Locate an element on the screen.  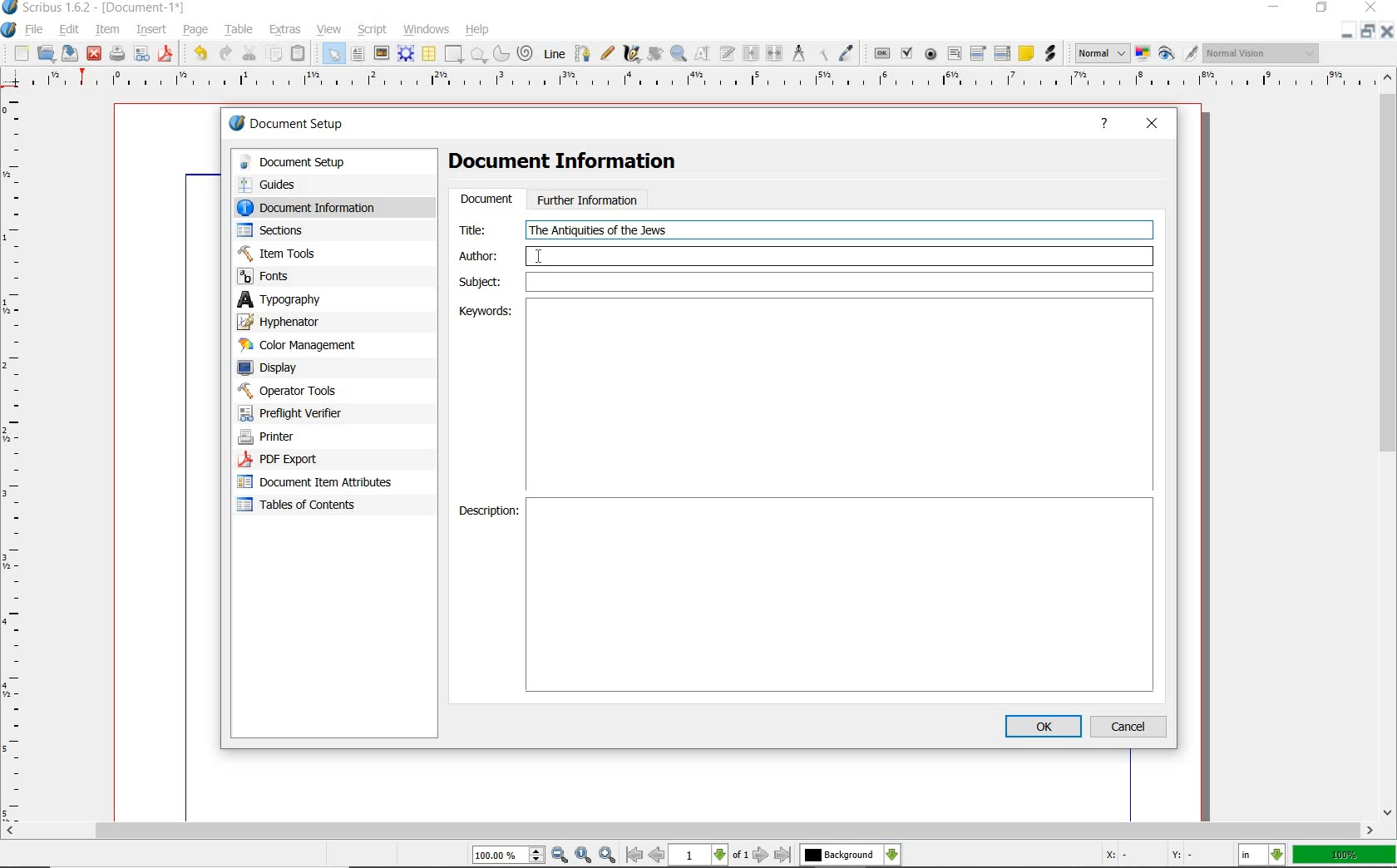
freehand line is located at coordinates (606, 52).